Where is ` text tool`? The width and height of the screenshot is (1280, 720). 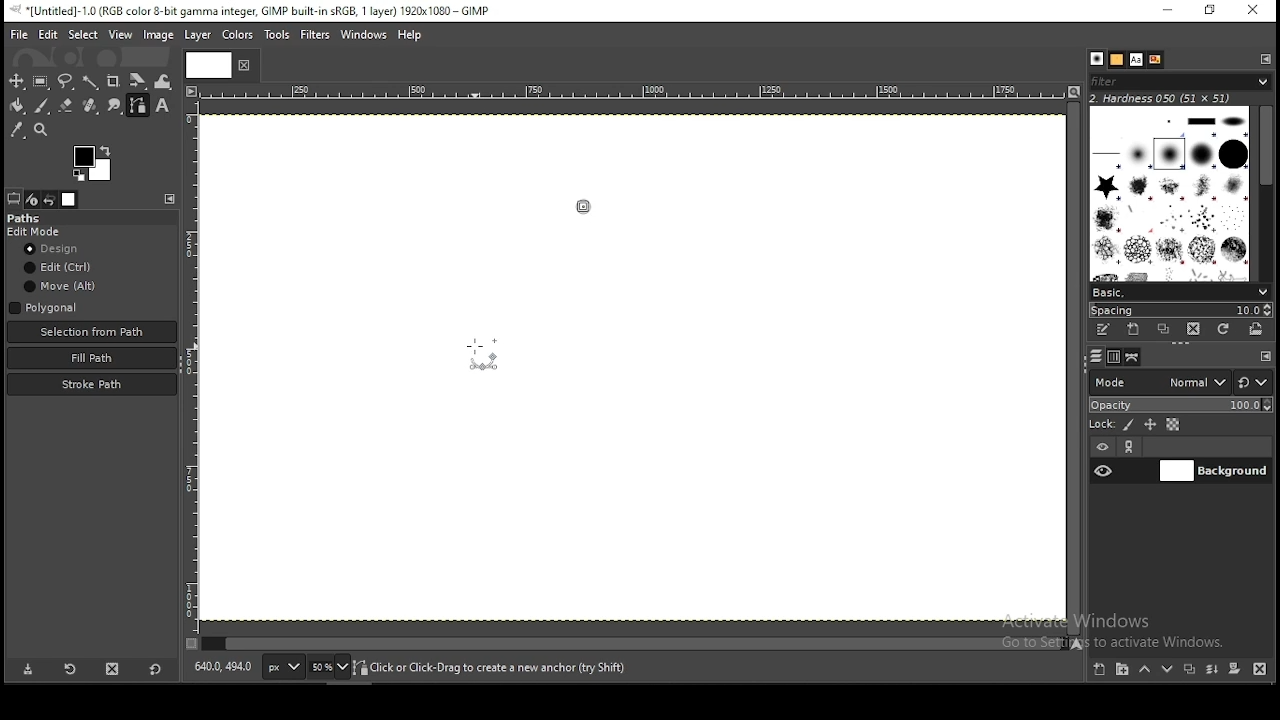  text tool is located at coordinates (165, 108).